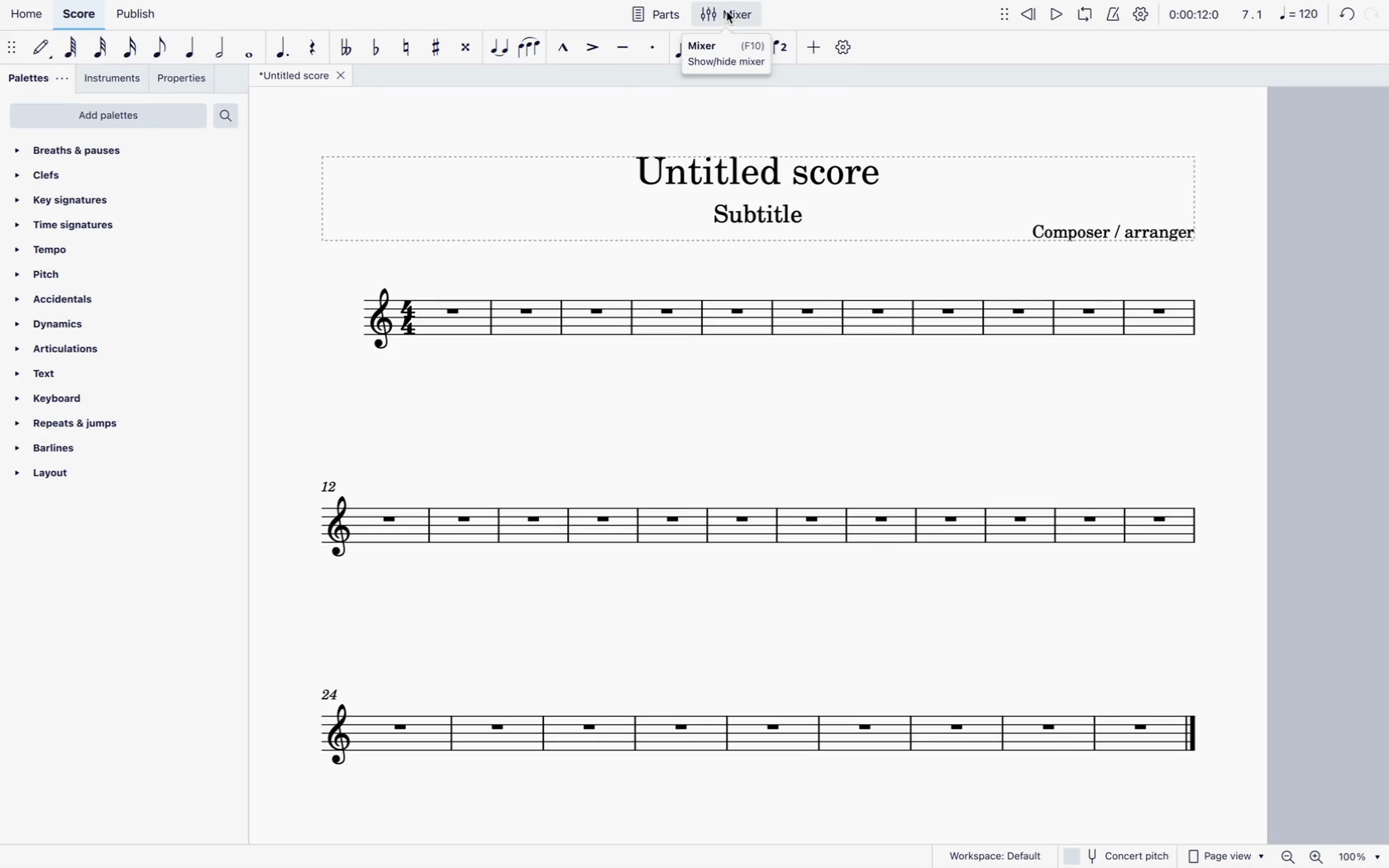 Image resolution: width=1389 pixels, height=868 pixels. I want to click on score title, so click(758, 165).